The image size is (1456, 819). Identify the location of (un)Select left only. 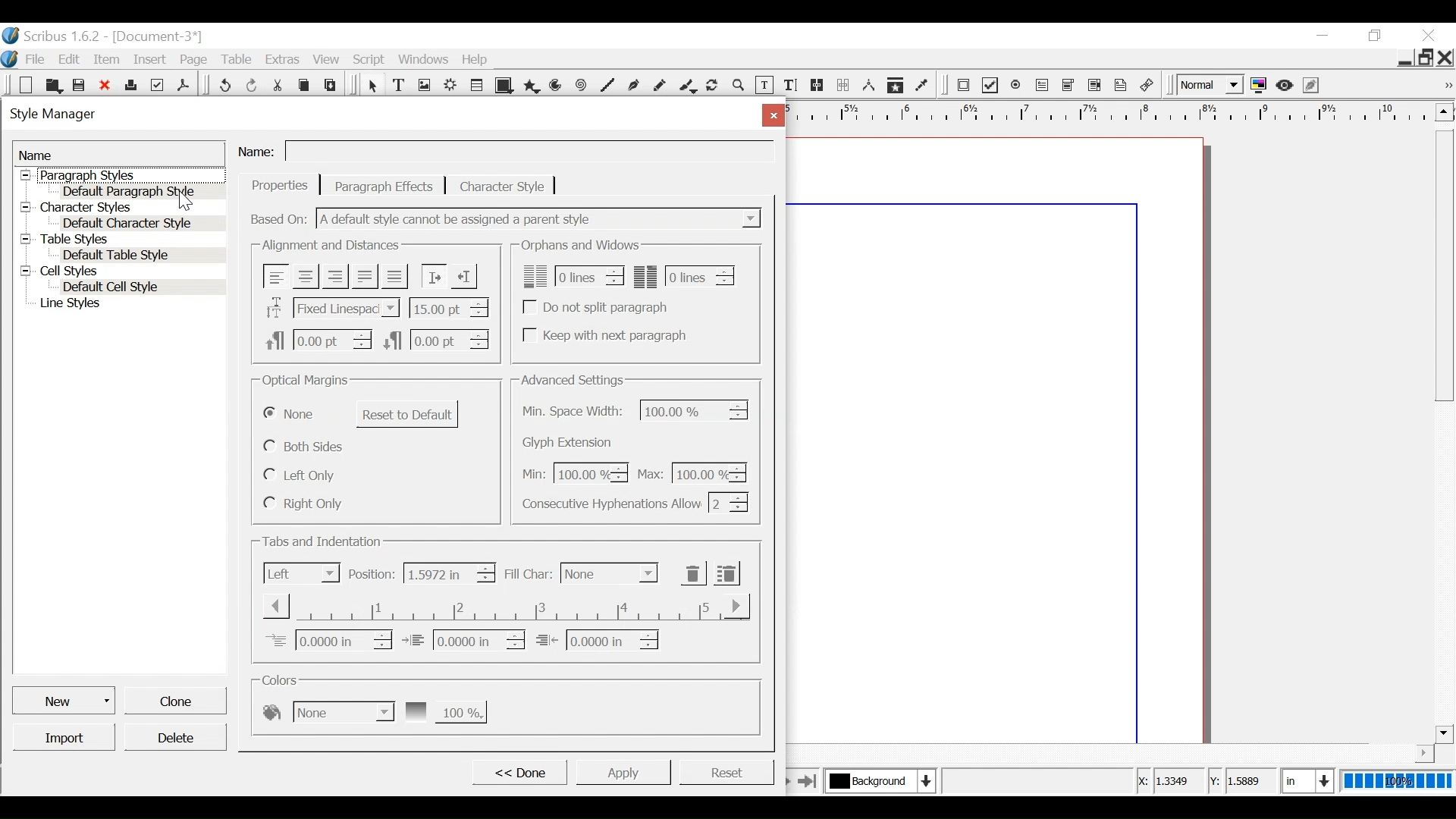
(302, 475).